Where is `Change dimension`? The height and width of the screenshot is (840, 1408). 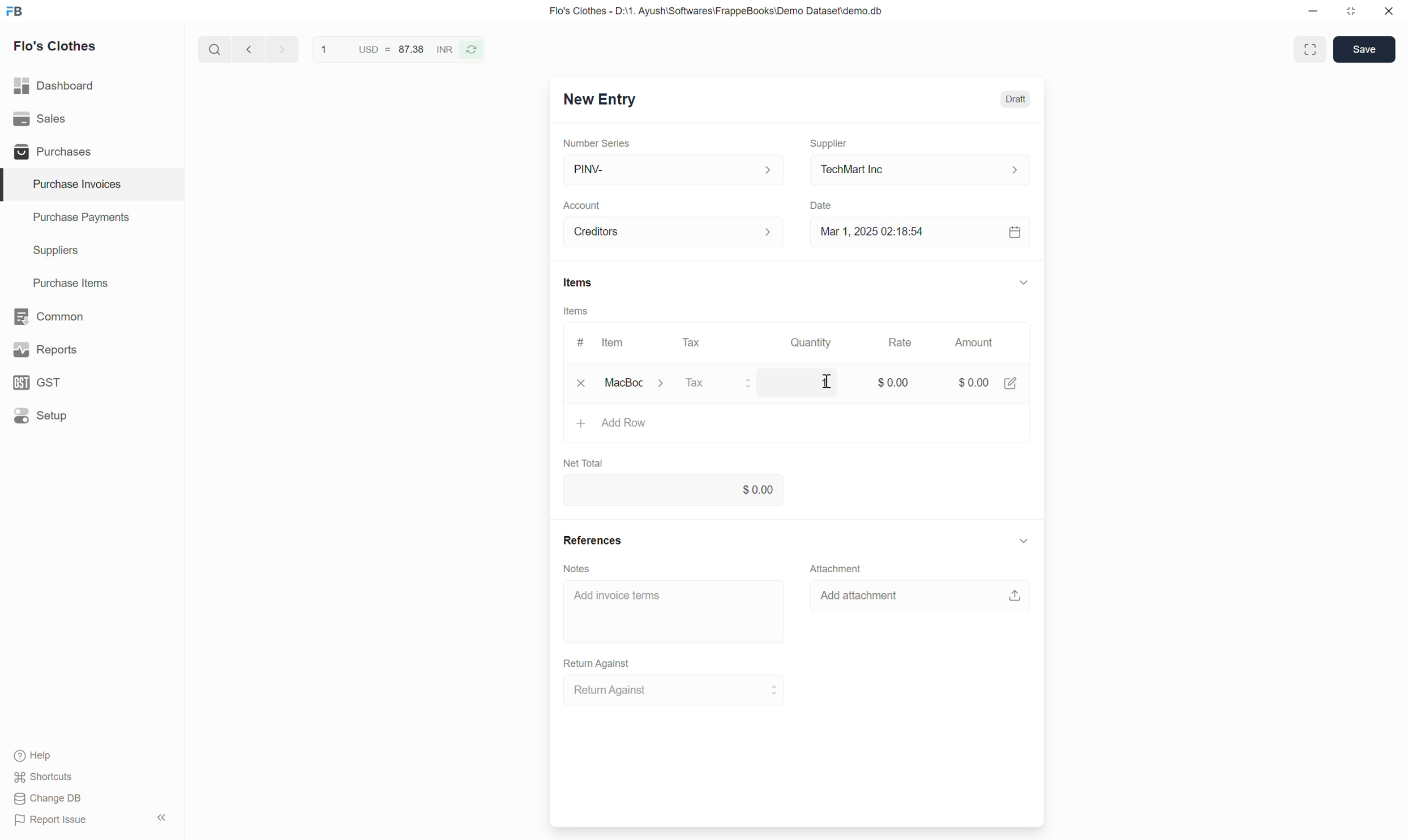 Change dimension is located at coordinates (1351, 11).